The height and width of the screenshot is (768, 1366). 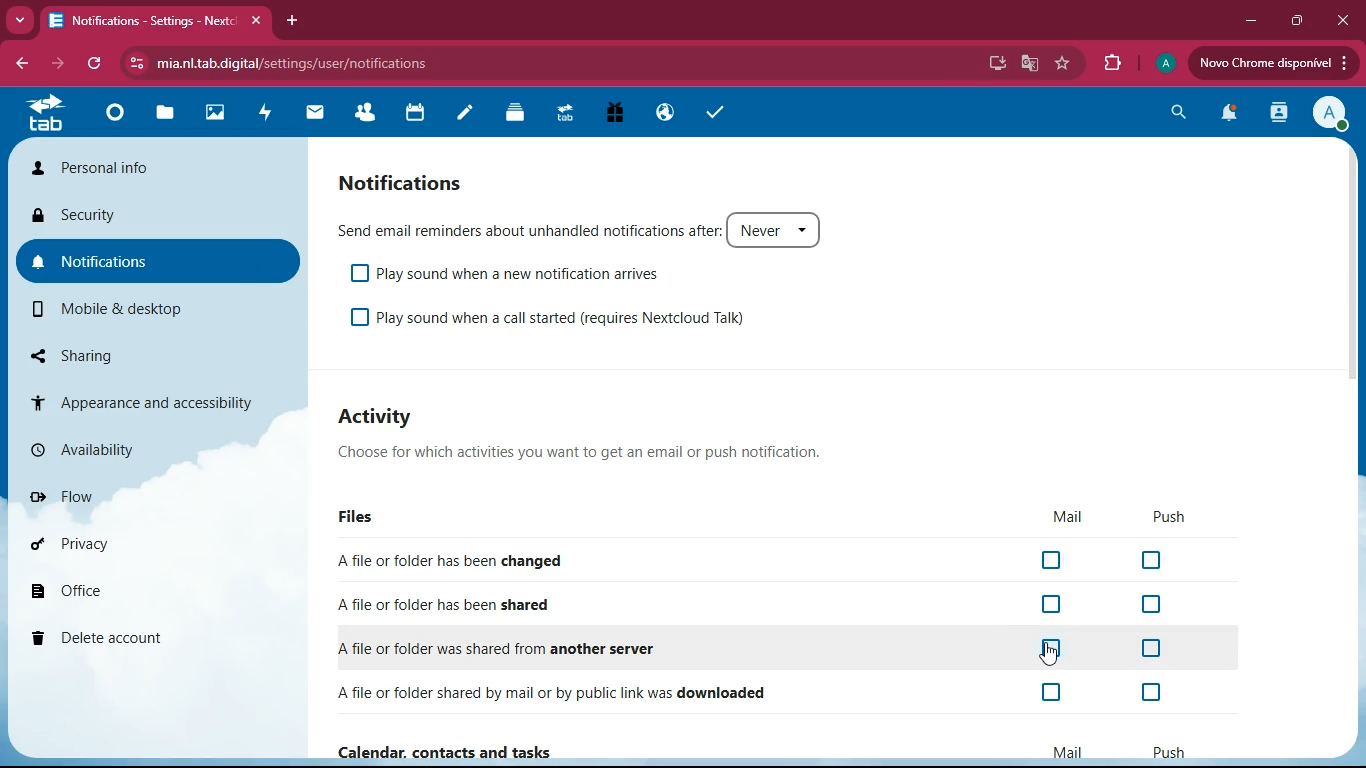 What do you see at coordinates (1154, 649) in the screenshot?
I see `off` at bounding box center [1154, 649].